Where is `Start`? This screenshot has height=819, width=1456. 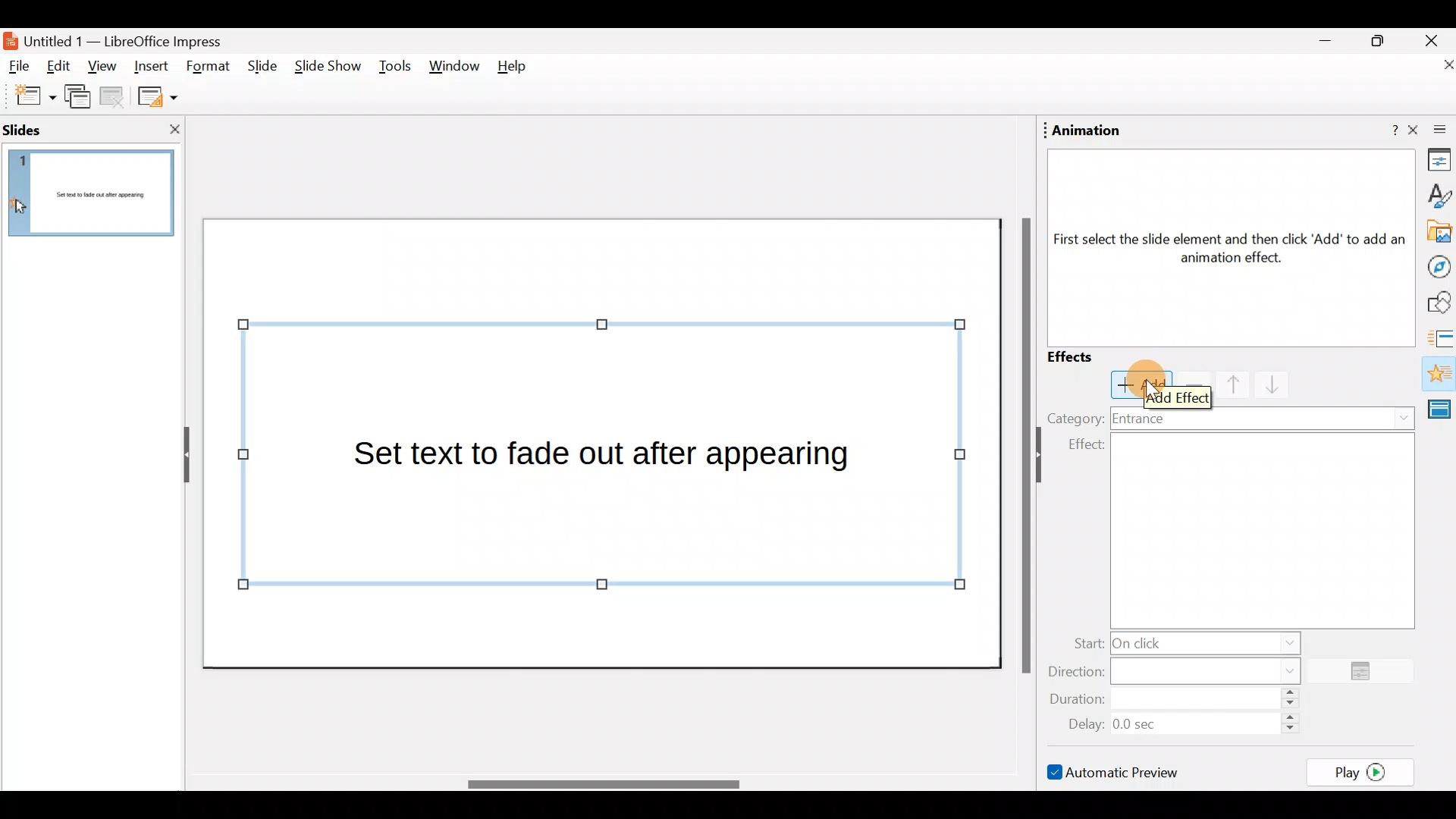 Start is located at coordinates (1182, 642).